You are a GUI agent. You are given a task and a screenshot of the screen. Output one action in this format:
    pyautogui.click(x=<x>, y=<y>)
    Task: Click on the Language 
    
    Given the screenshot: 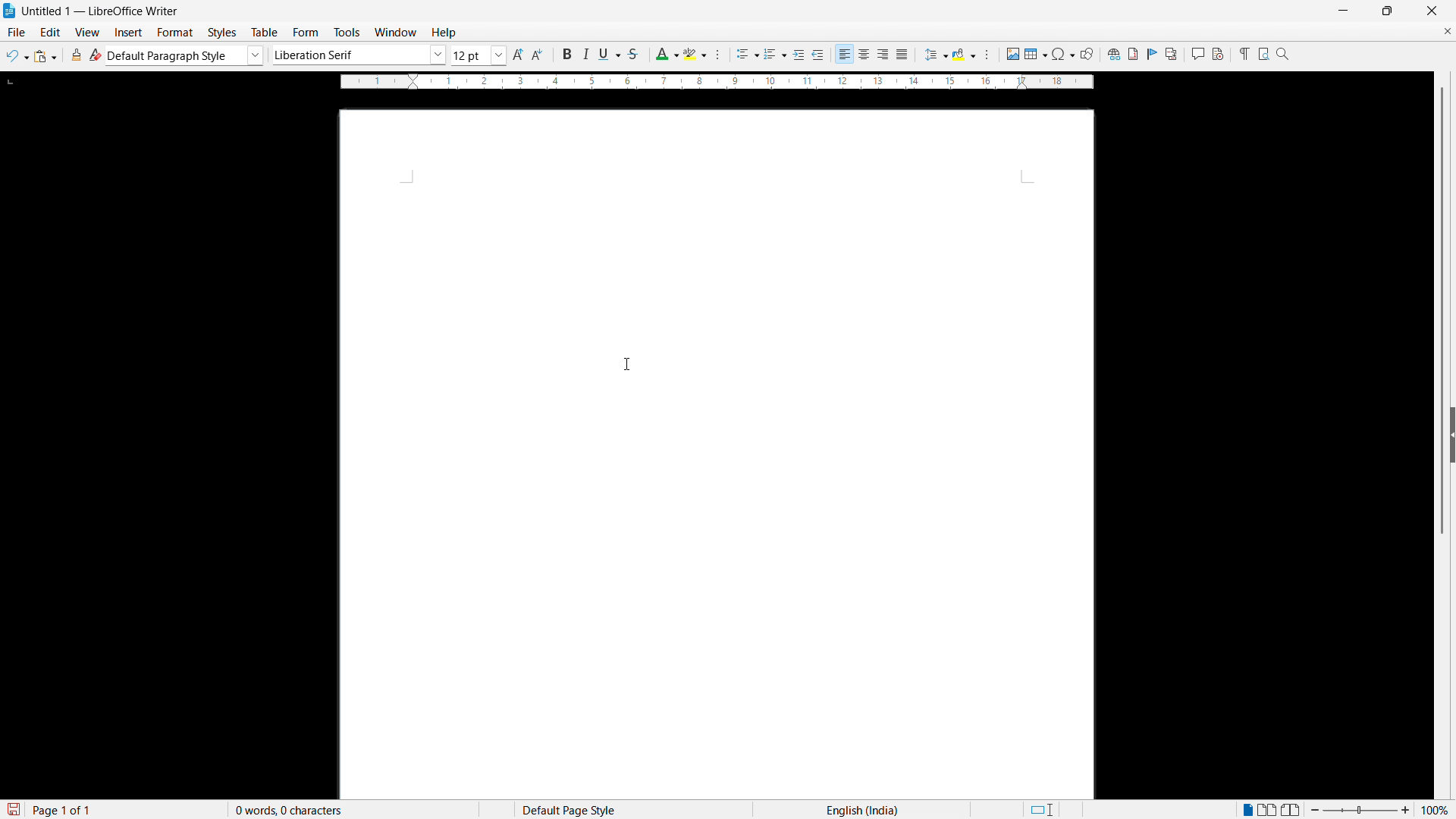 What is the action you would take?
    pyautogui.click(x=862, y=809)
    